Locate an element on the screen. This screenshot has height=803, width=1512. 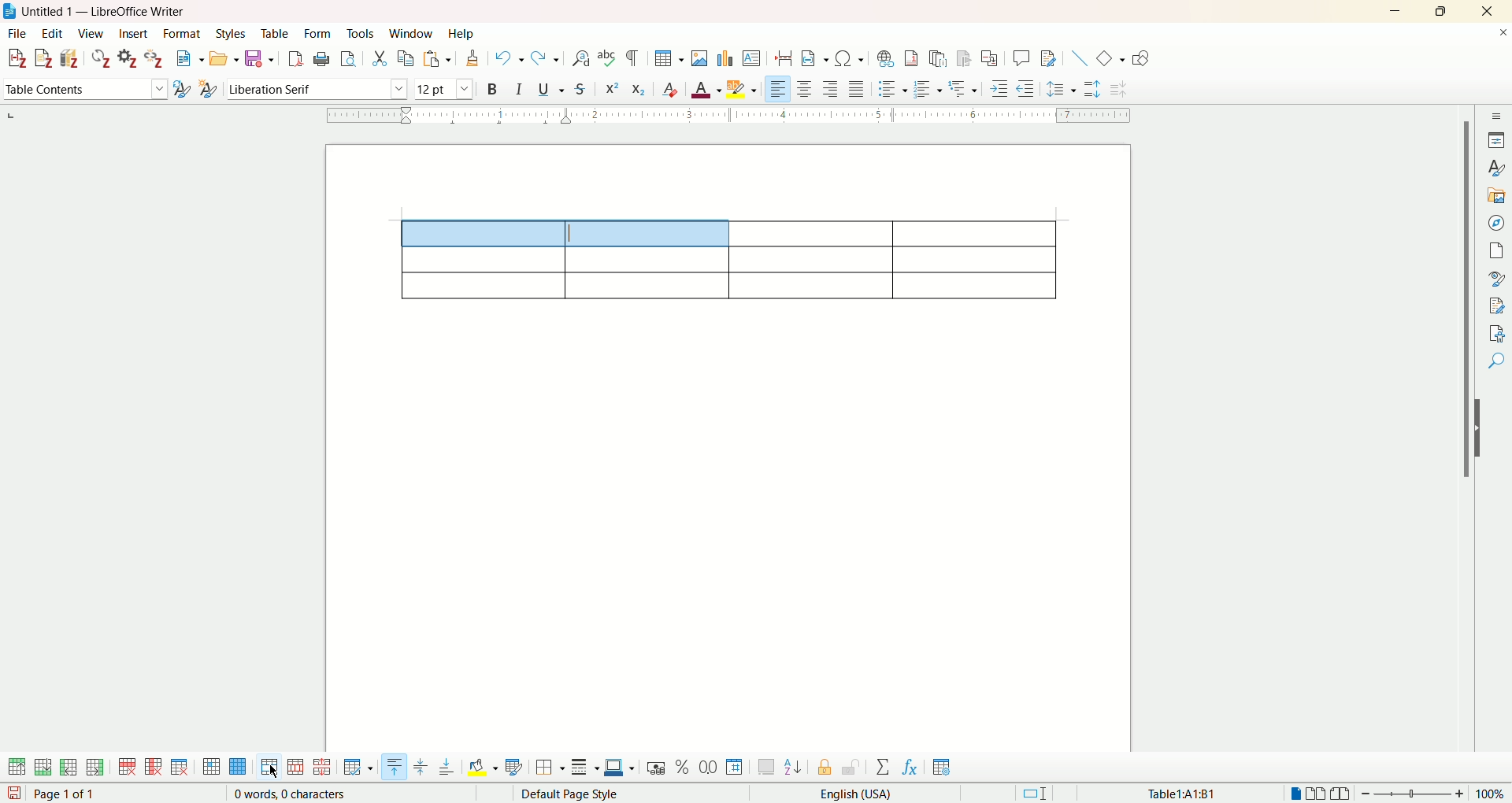
manage changes is located at coordinates (1495, 306).